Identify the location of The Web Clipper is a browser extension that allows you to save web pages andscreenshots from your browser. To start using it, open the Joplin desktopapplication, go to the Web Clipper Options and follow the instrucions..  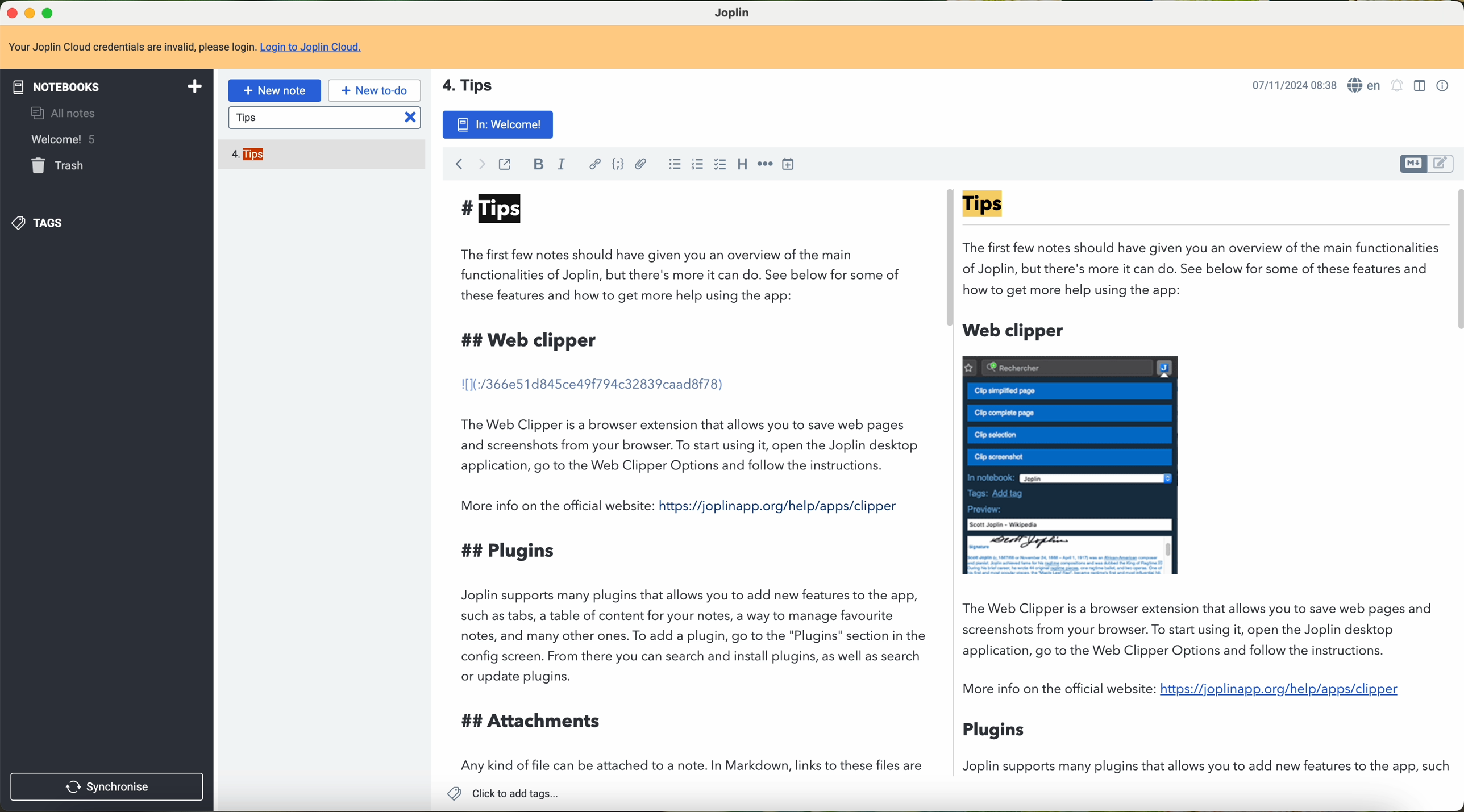
(1188, 627).